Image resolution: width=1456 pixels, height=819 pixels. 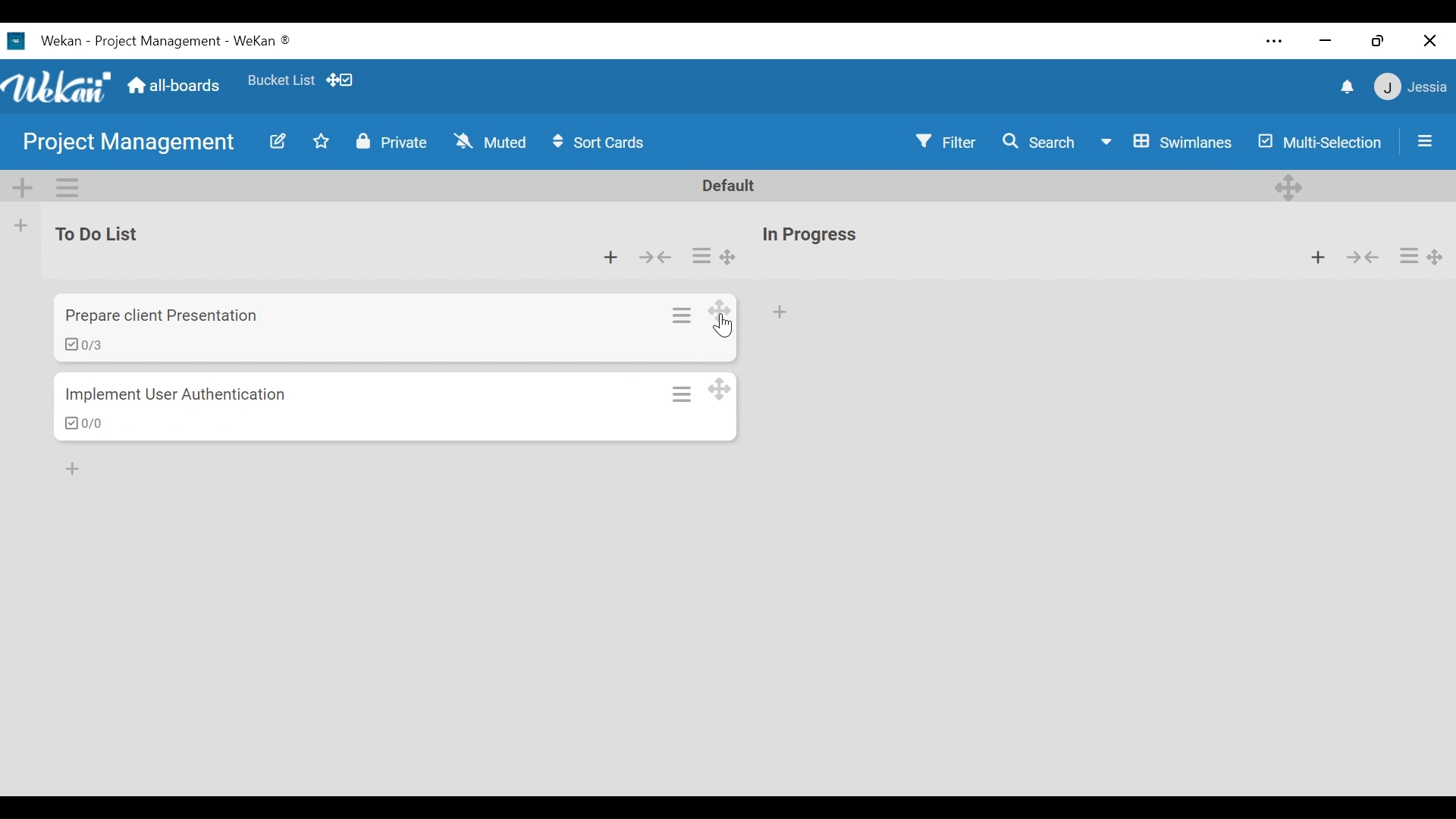 What do you see at coordinates (391, 143) in the screenshot?
I see `Private` at bounding box center [391, 143].